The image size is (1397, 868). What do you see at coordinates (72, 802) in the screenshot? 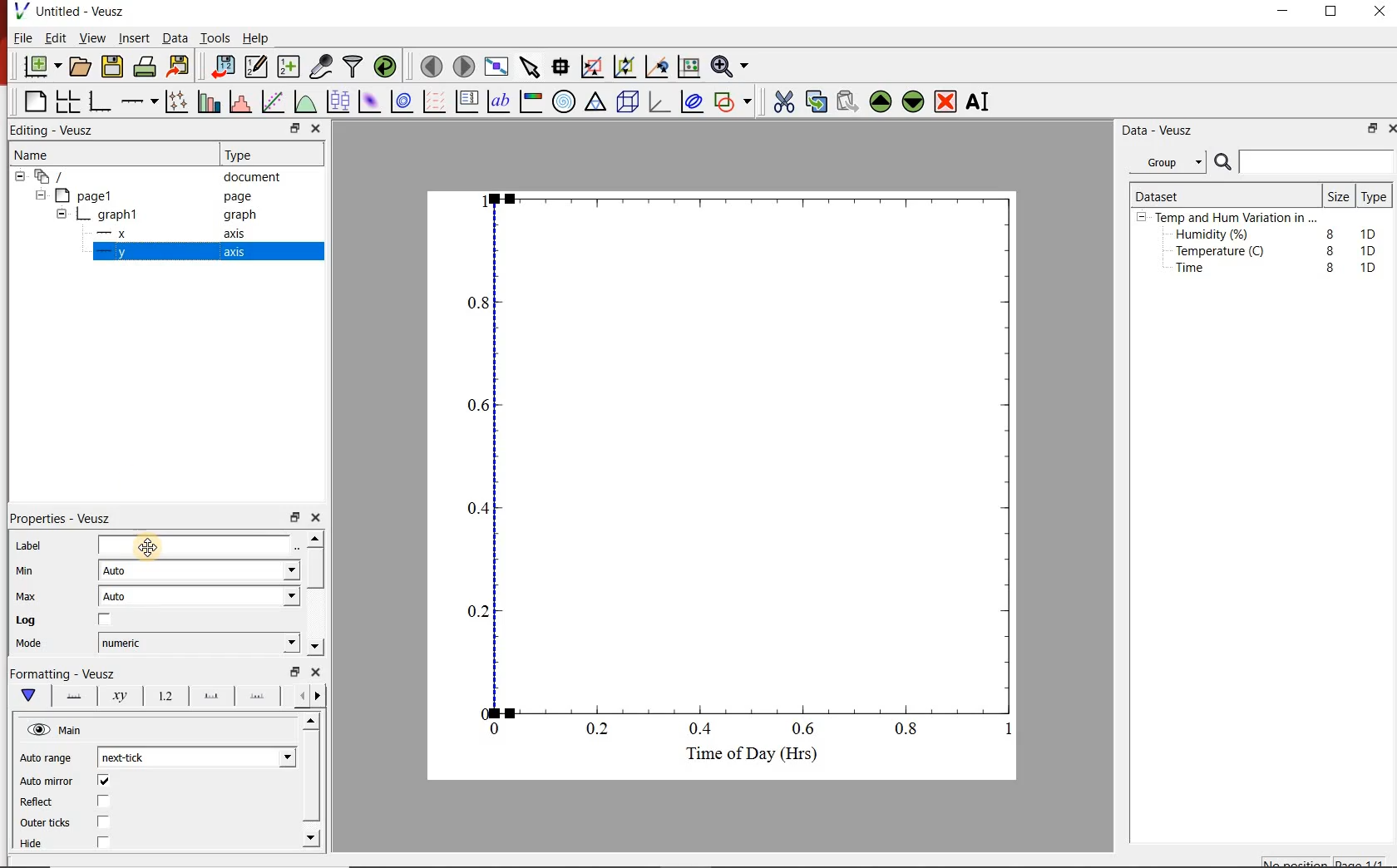
I see `Reflect` at bounding box center [72, 802].